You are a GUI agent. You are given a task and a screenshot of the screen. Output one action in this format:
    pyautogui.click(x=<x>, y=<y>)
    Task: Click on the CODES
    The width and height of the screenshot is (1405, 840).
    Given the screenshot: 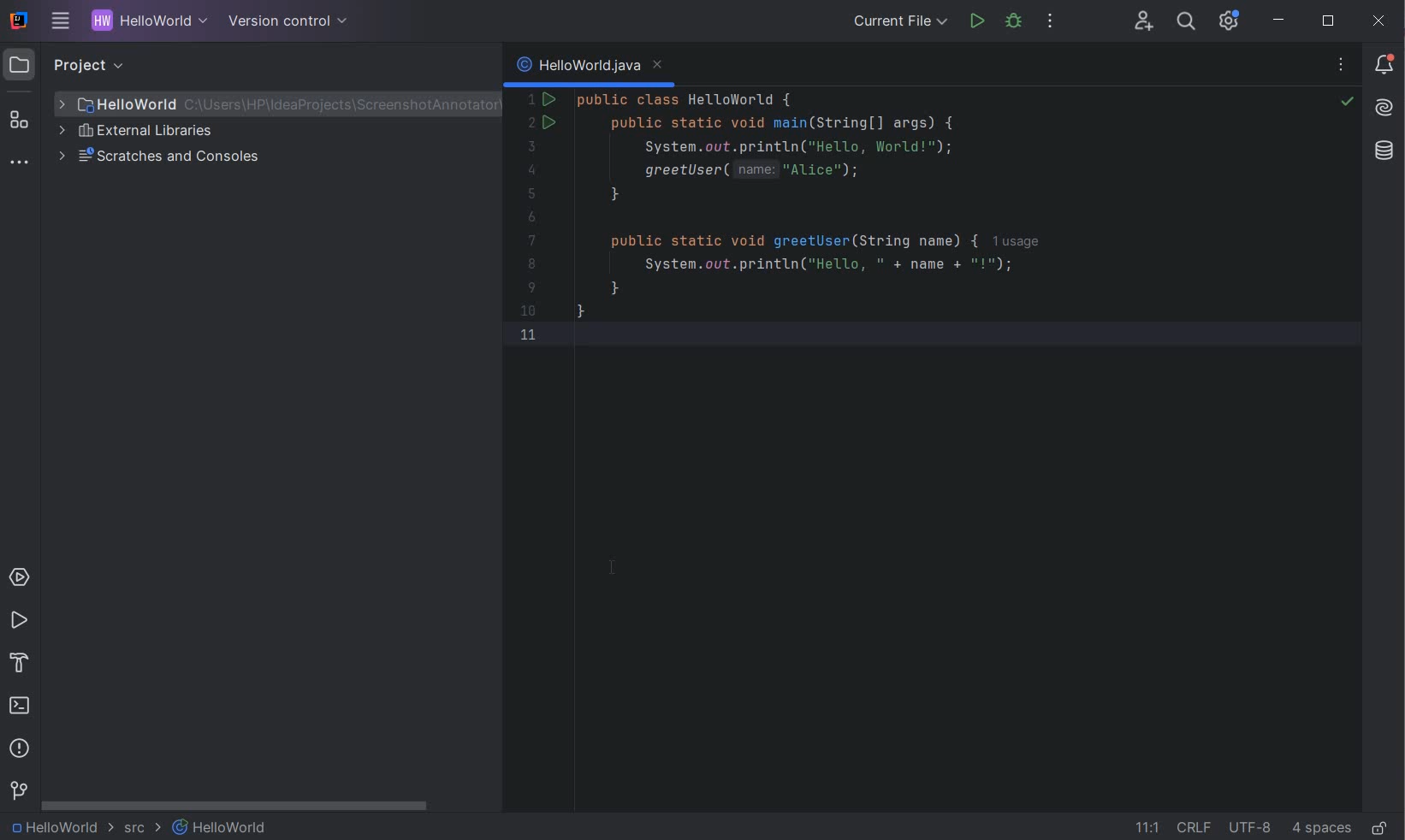 What is the action you would take?
    pyautogui.click(x=857, y=229)
    